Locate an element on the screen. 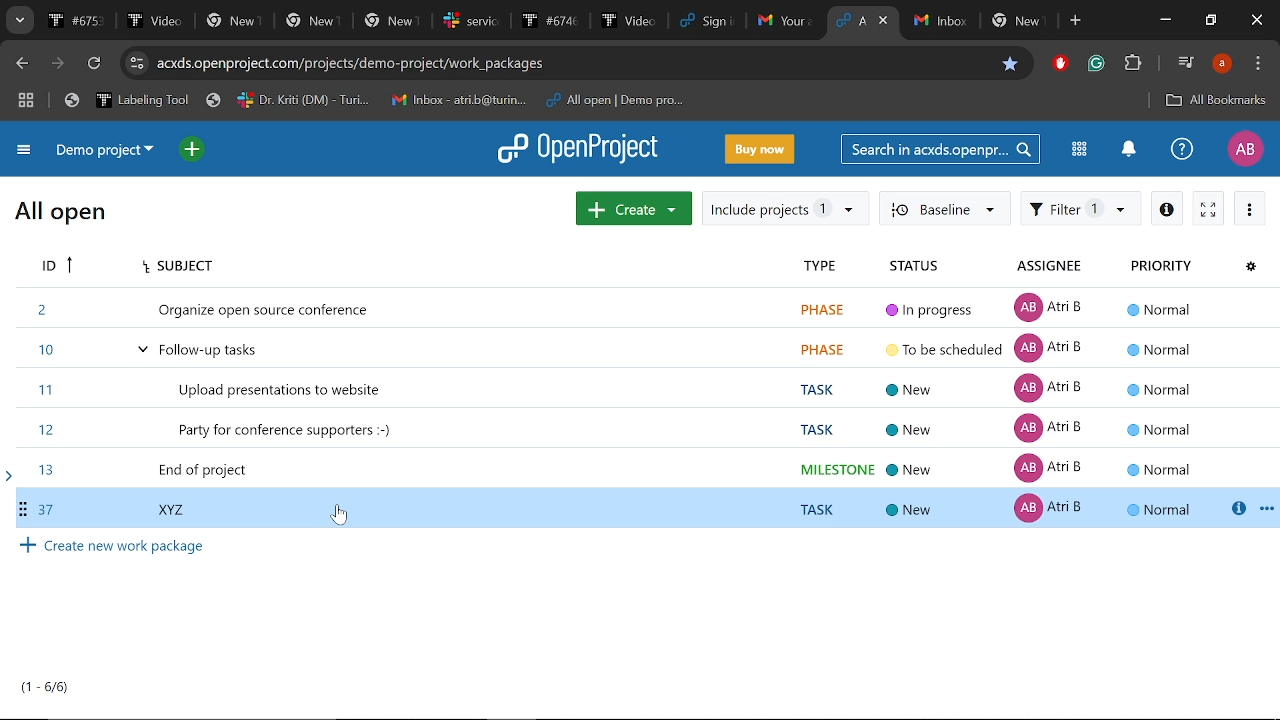  Restore down is located at coordinates (1210, 21).